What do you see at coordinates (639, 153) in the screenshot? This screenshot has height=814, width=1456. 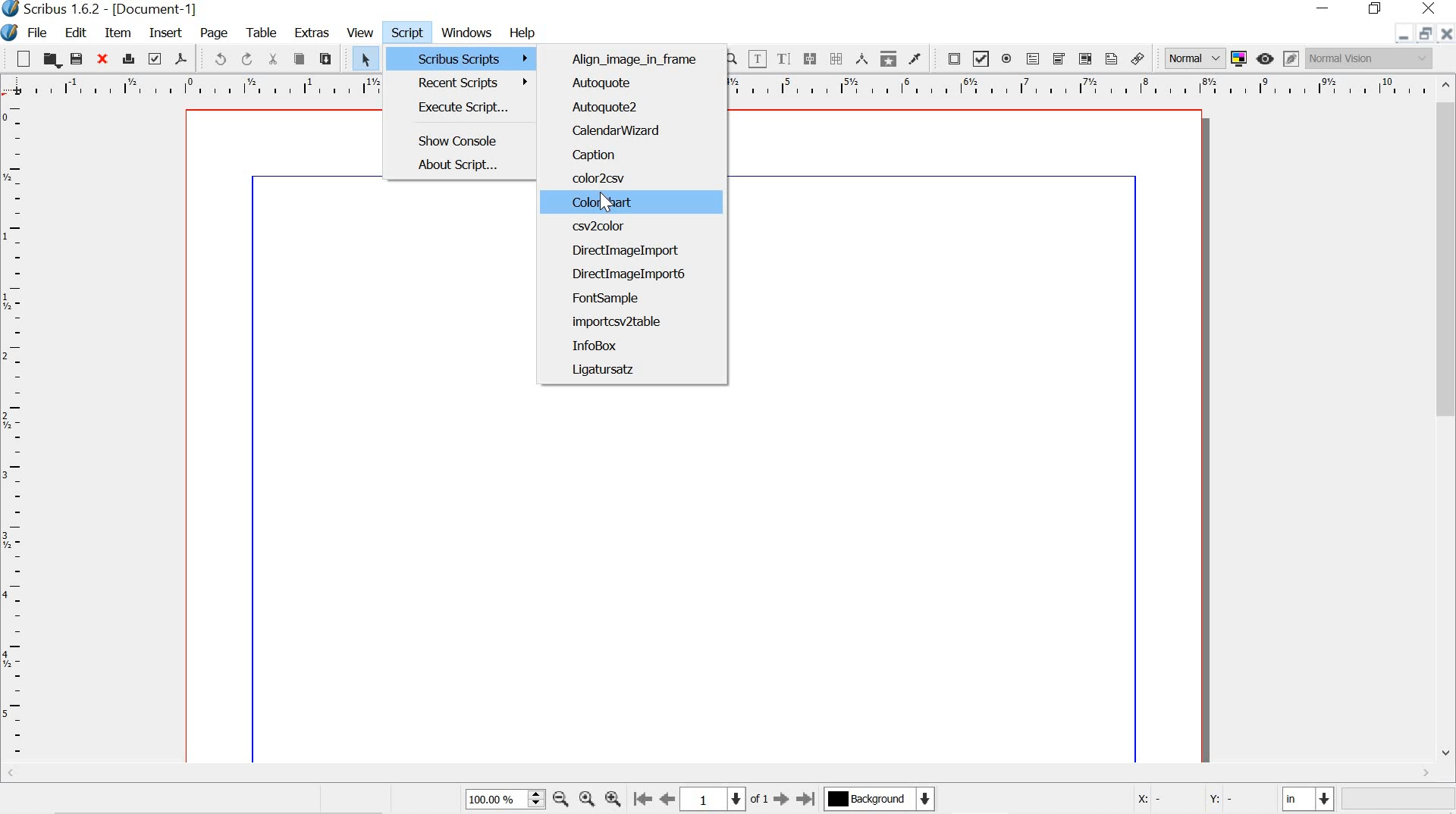 I see `caption` at bounding box center [639, 153].